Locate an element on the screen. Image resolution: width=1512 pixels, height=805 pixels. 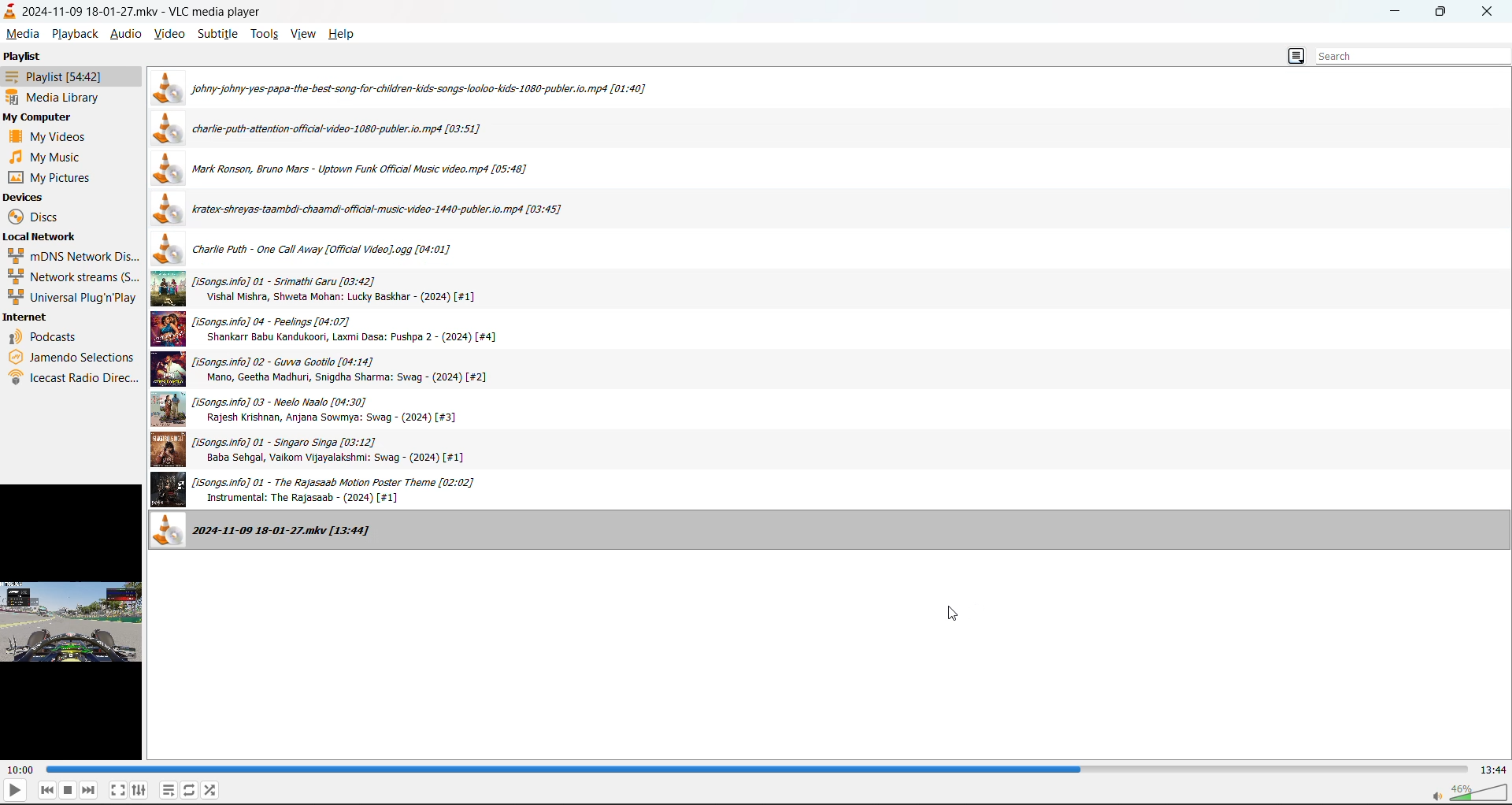
playlist is located at coordinates (169, 789).